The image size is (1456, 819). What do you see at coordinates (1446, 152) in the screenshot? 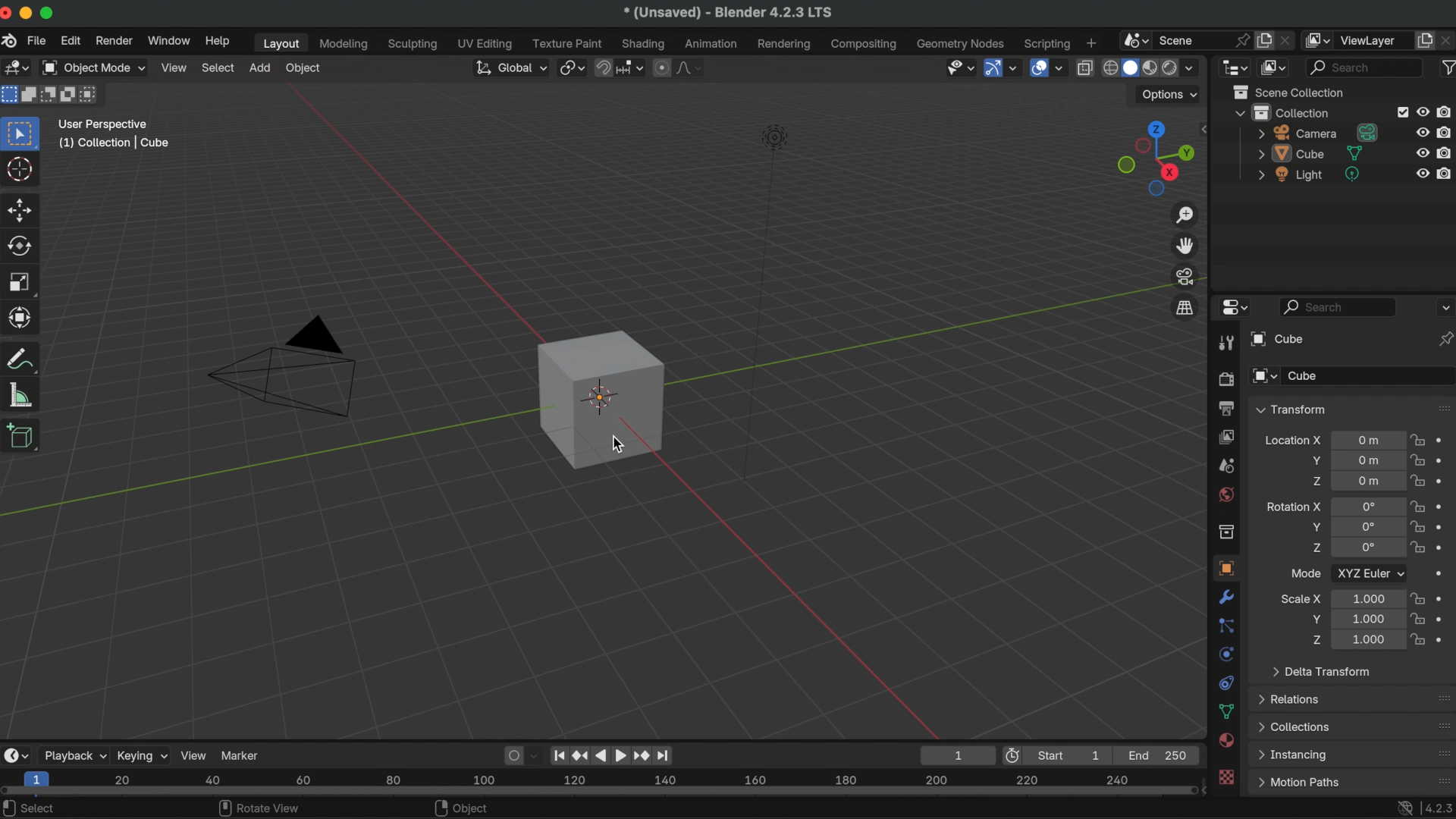
I see `disable in render` at bounding box center [1446, 152].